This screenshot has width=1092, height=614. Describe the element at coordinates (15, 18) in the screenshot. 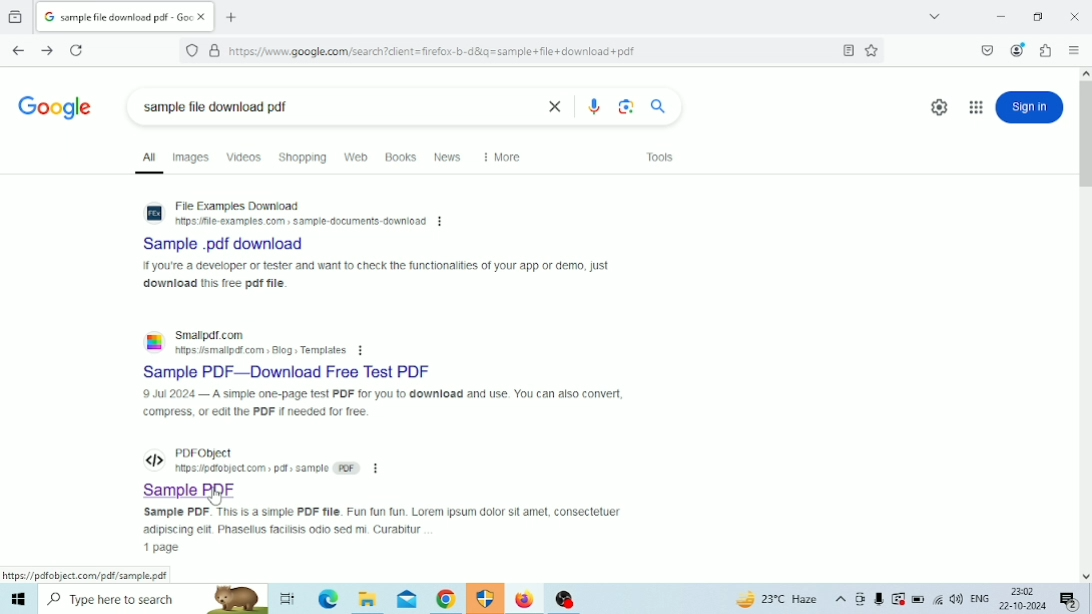

I see `View recent browsing across windows and devices` at that location.